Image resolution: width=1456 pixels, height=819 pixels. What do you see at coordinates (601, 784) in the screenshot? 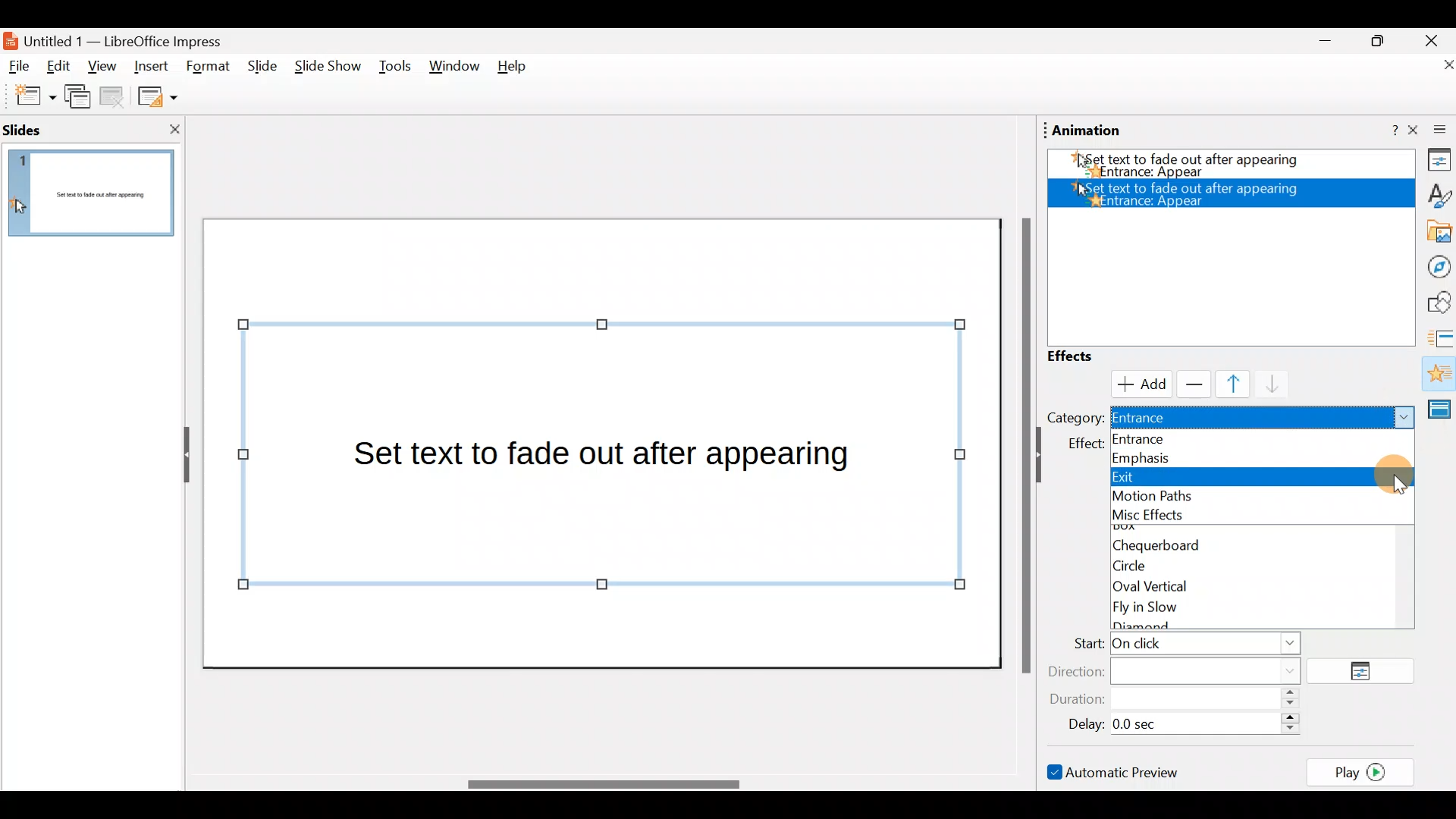
I see `Scroll bar` at bounding box center [601, 784].